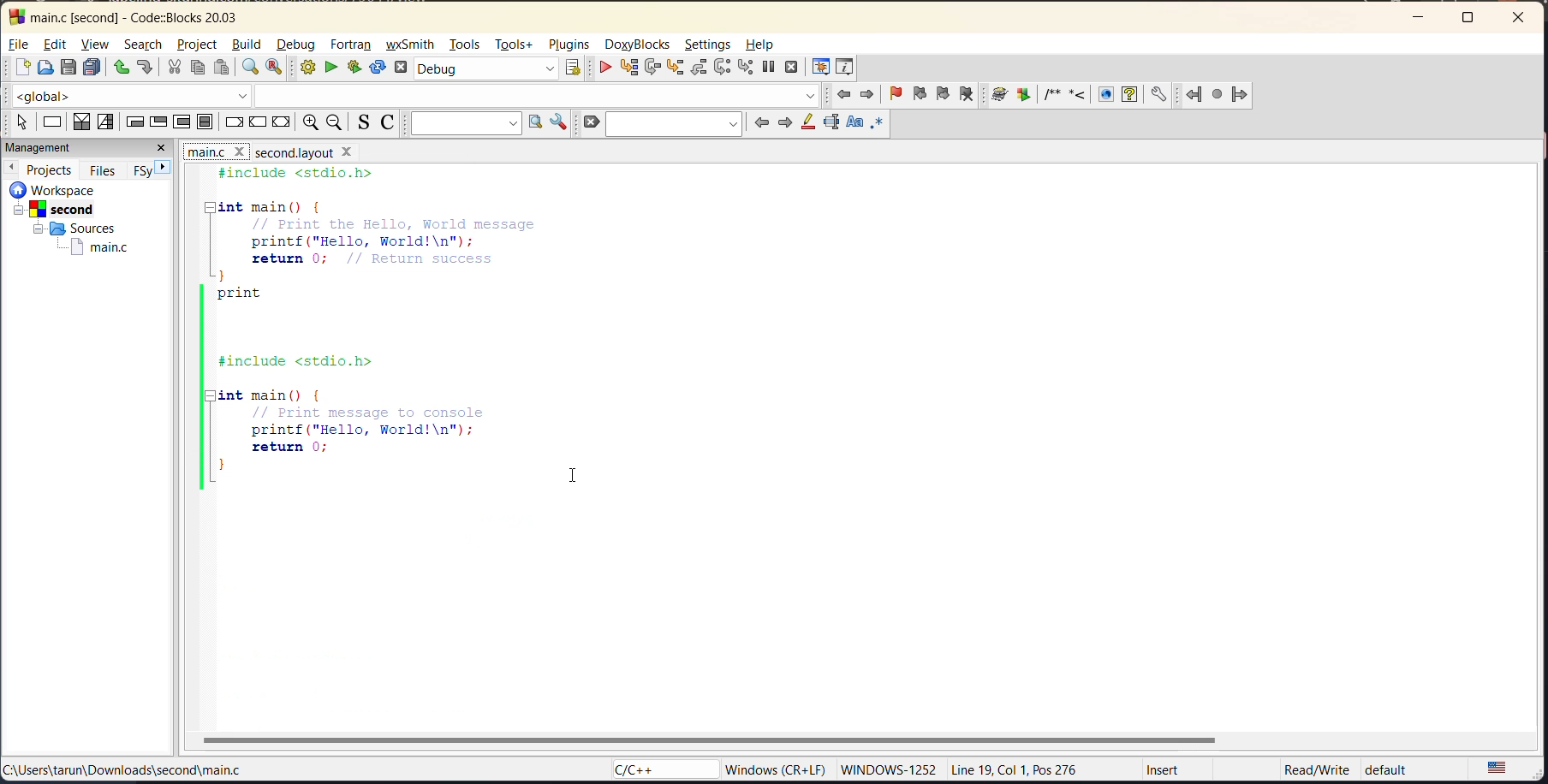  Describe the element at coordinates (56, 45) in the screenshot. I see `edit` at that location.